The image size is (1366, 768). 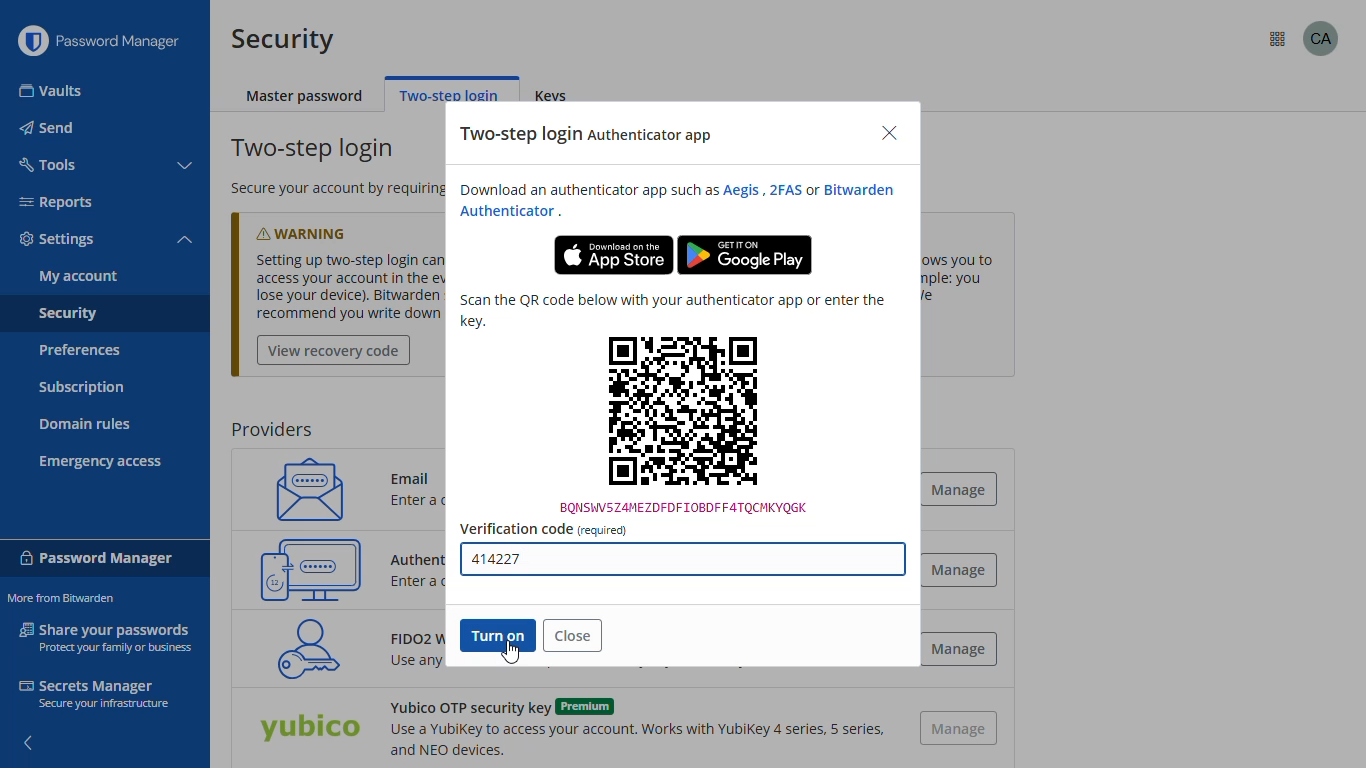 What do you see at coordinates (613, 255) in the screenshot?
I see `download on the app store` at bounding box center [613, 255].